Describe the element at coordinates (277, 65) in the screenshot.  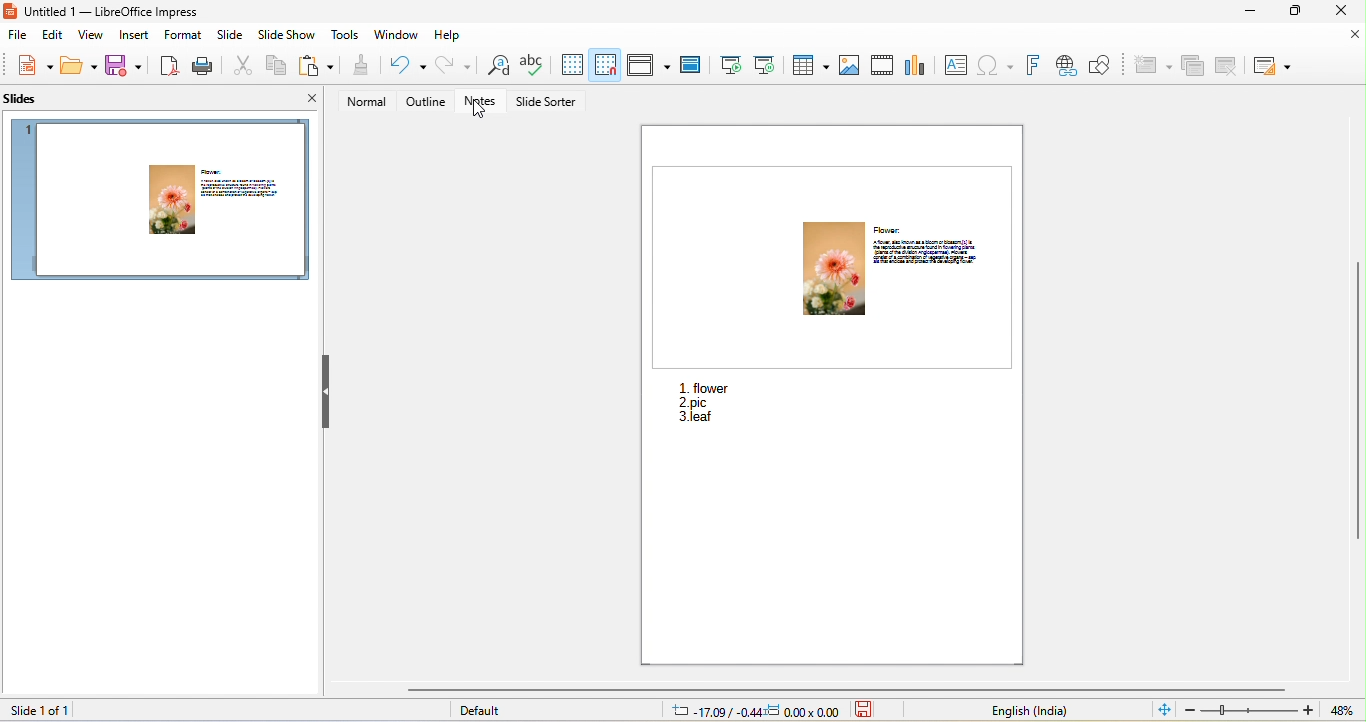
I see `copy` at that location.